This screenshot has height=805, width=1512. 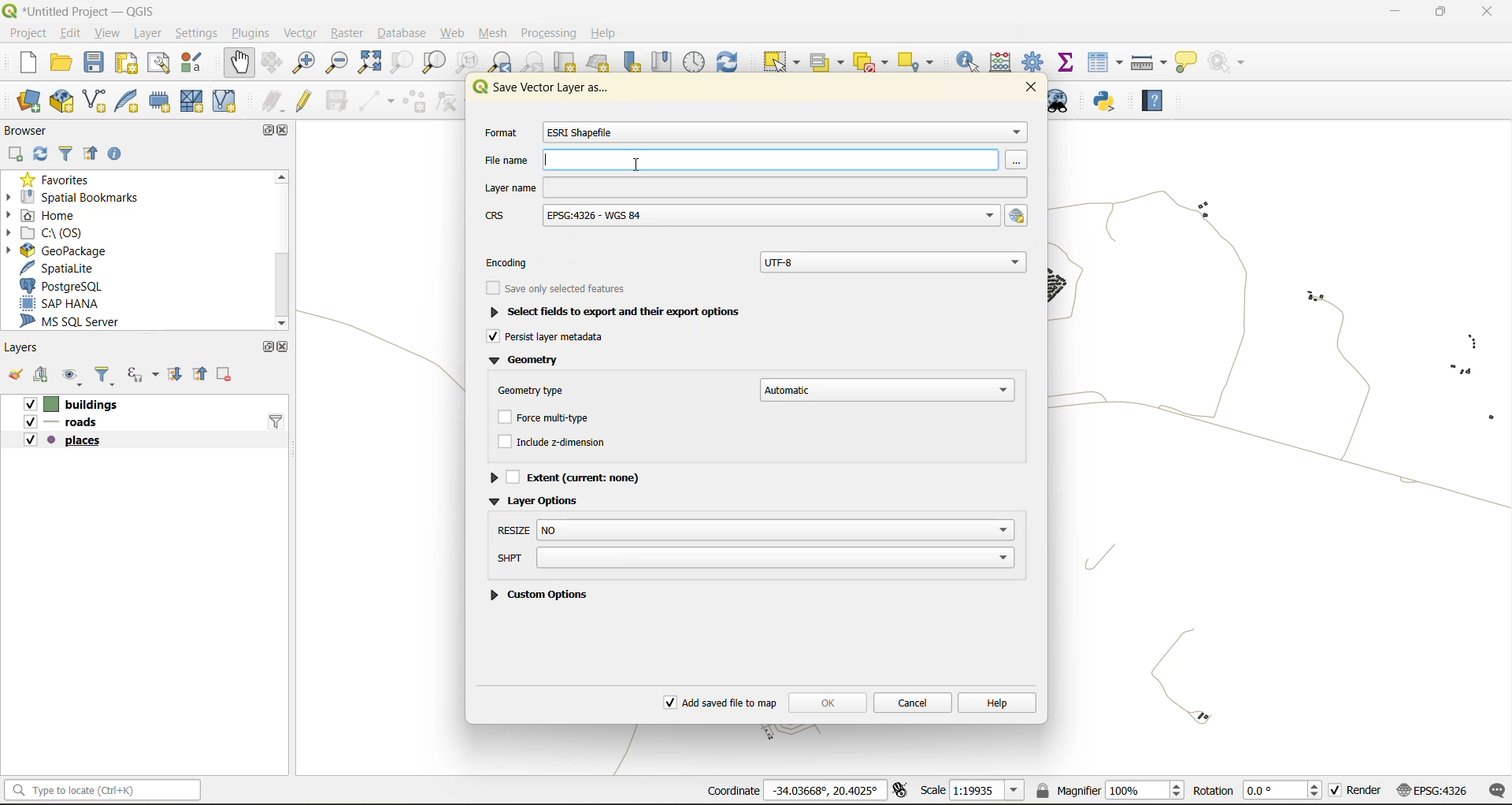 I want to click on format changed, so click(x=584, y=132).